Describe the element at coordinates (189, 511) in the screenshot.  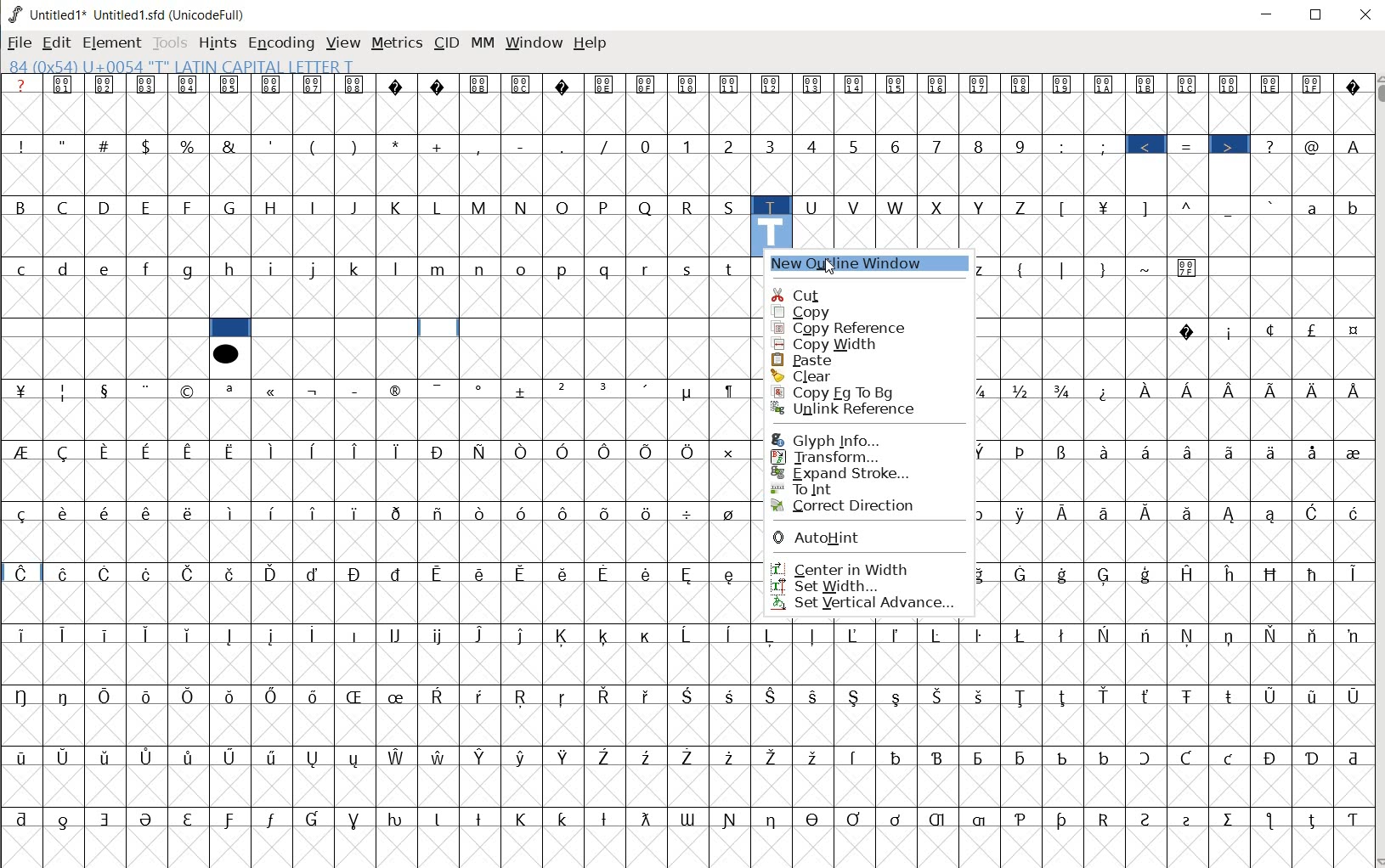
I see `Symbol` at that location.